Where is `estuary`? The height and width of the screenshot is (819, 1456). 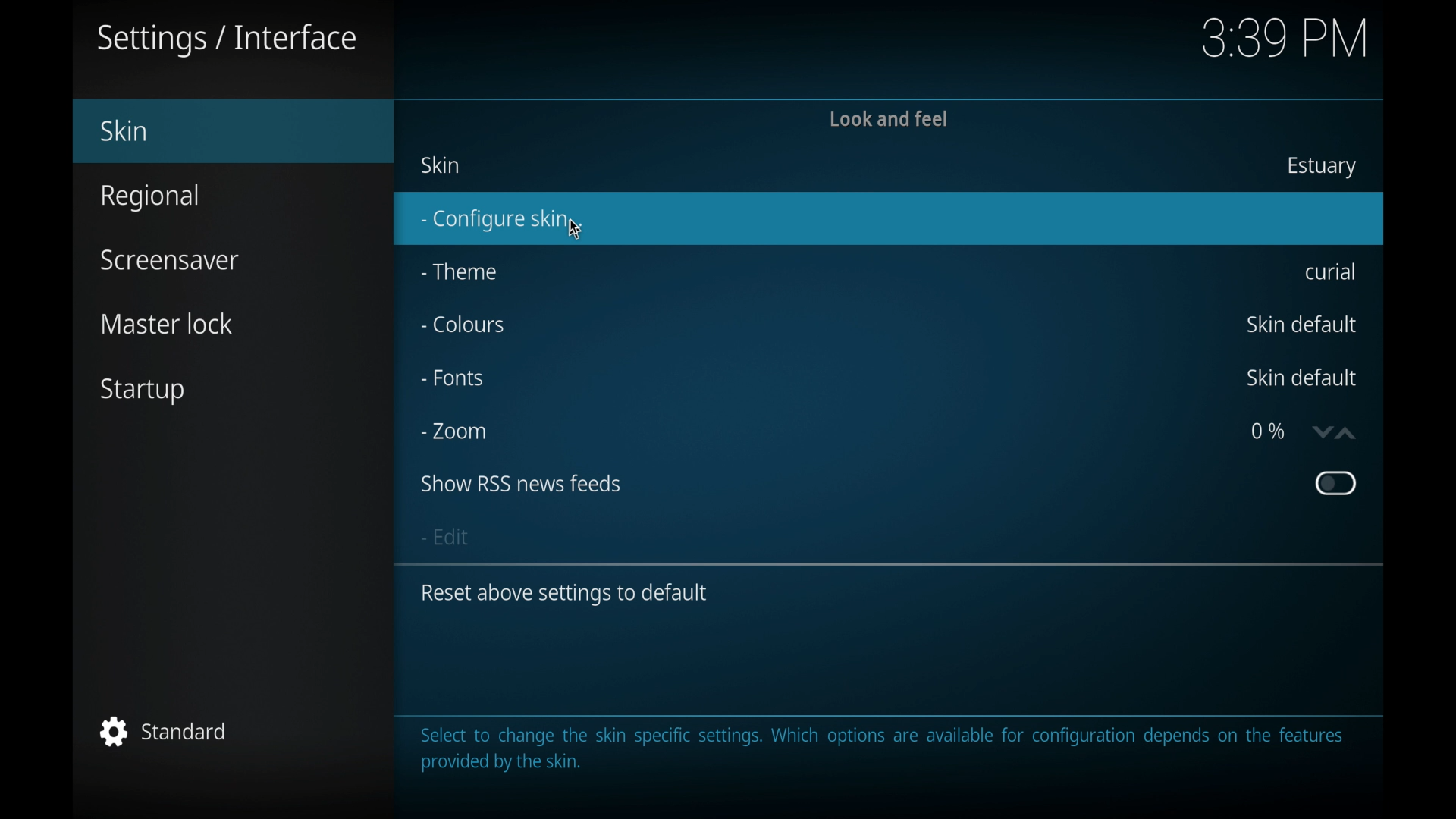 estuary is located at coordinates (1321, 167).